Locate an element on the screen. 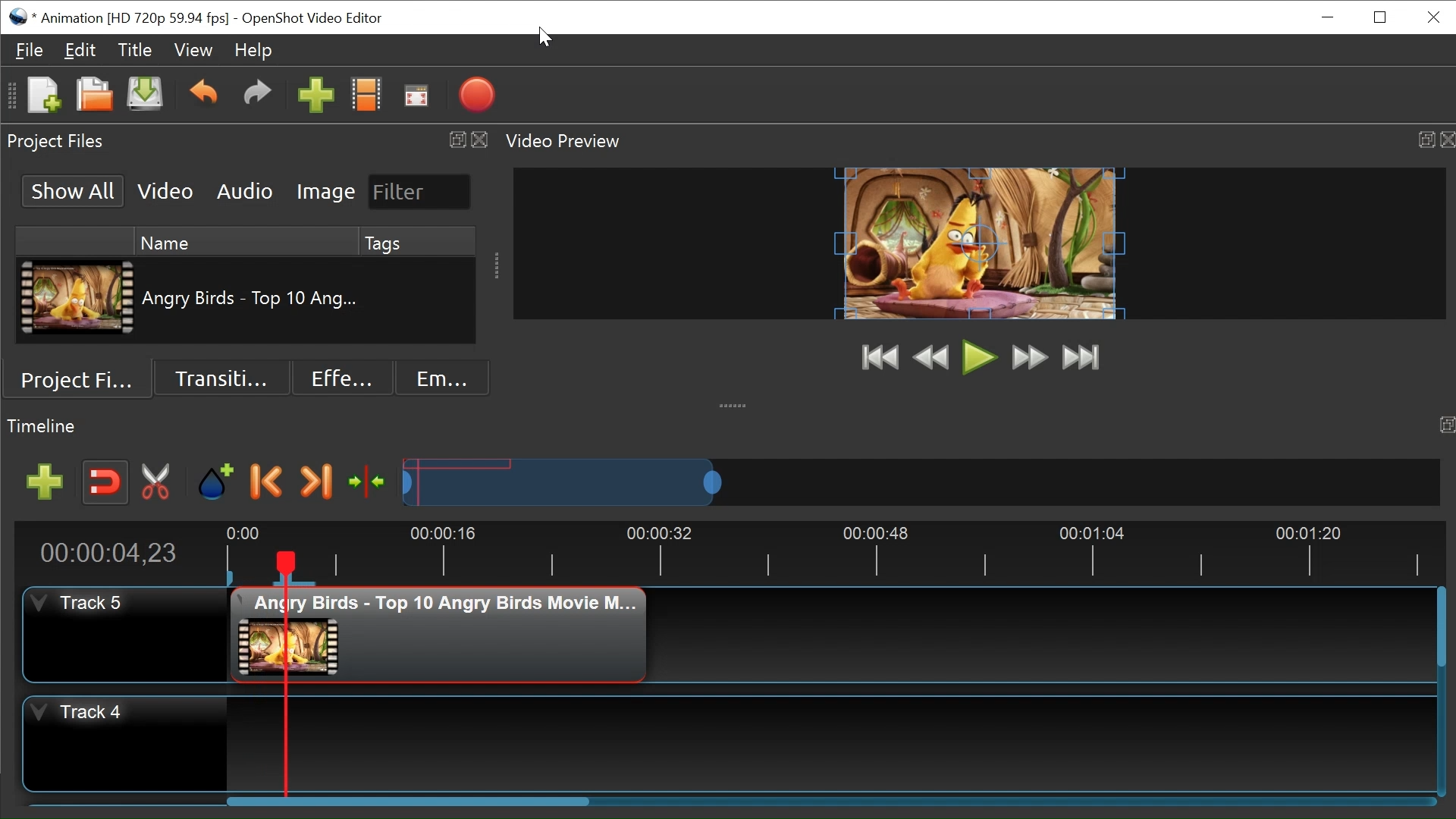 The height and width of the screenshot is (819, 1456). File is located at coordinates (30, 50).